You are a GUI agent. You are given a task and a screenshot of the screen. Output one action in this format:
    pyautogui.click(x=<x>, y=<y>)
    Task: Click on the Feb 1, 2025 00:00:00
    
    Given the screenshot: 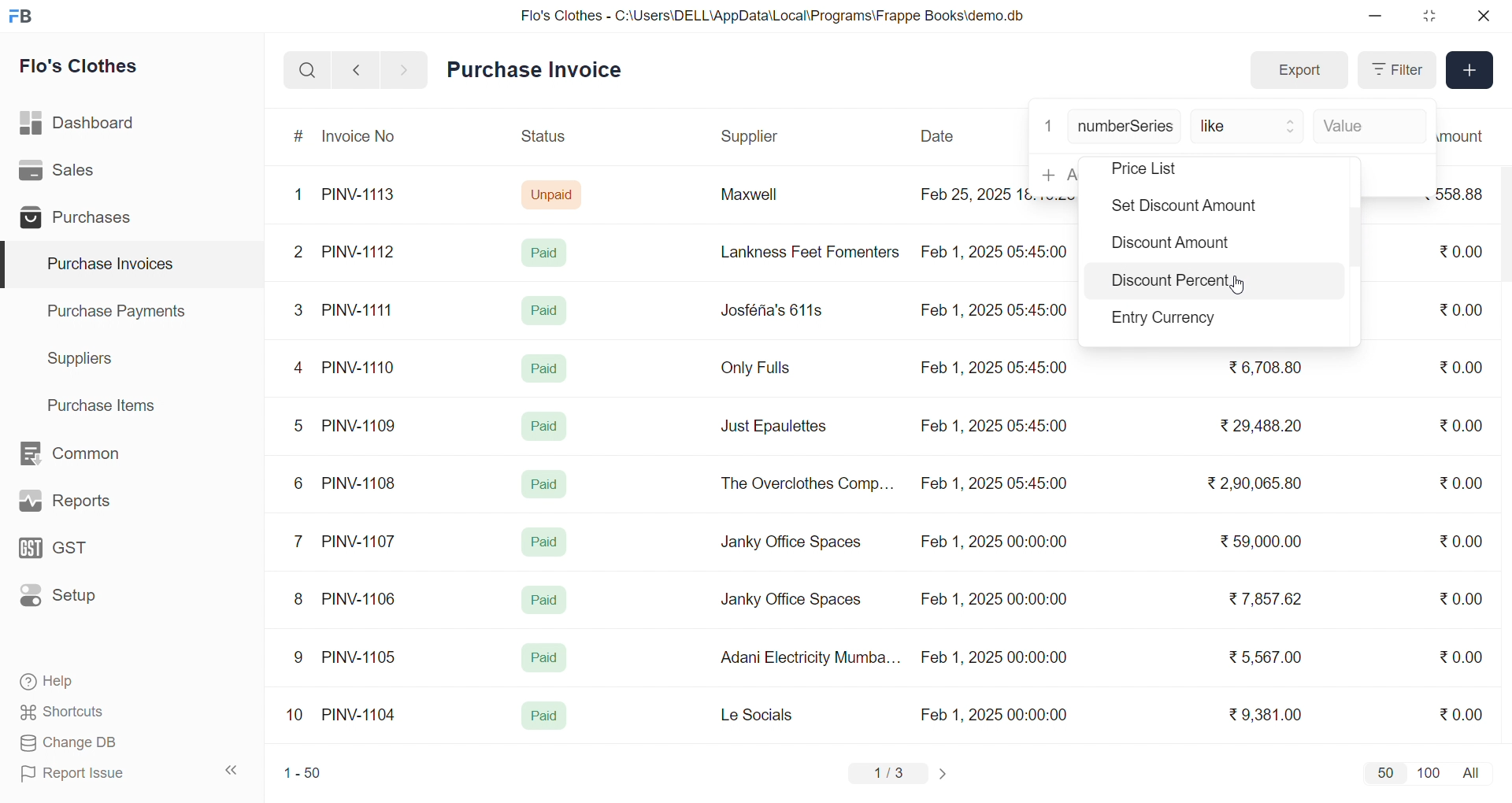 What is the action you would take?
    pyautogui.click(x=994, y=657)
    